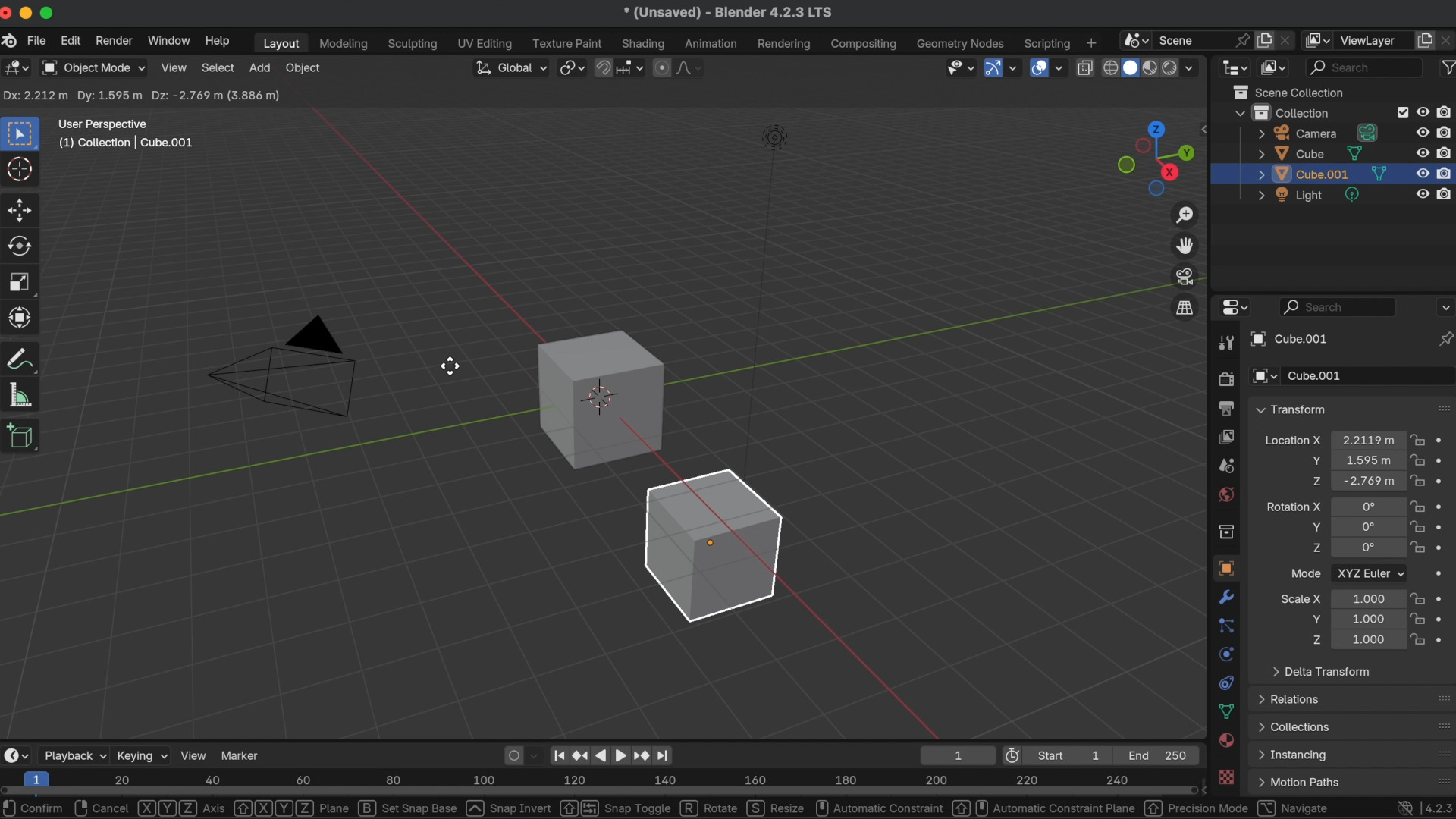  What do you see at coordinates (1235, 66) in the screenshot?
I see `editor type` at bounding box center [1235, 66].